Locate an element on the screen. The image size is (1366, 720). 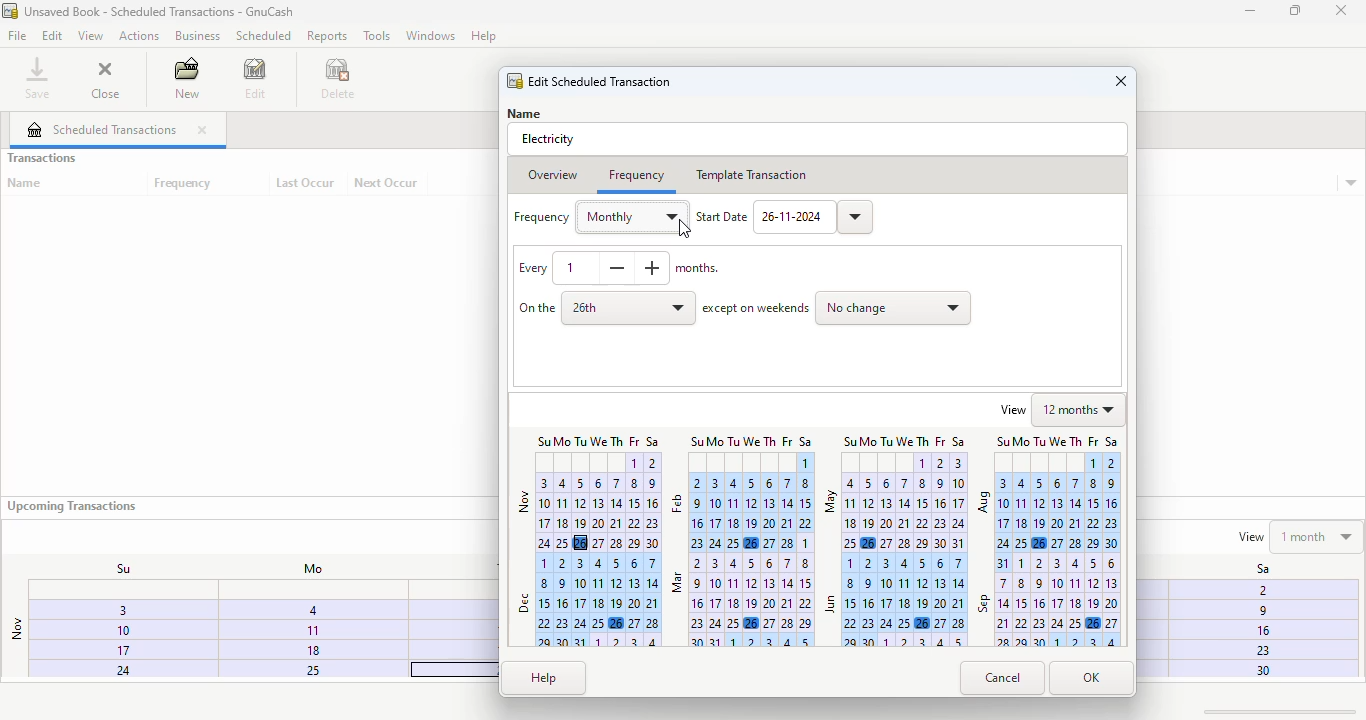
close is located at coordinates (202, 130).